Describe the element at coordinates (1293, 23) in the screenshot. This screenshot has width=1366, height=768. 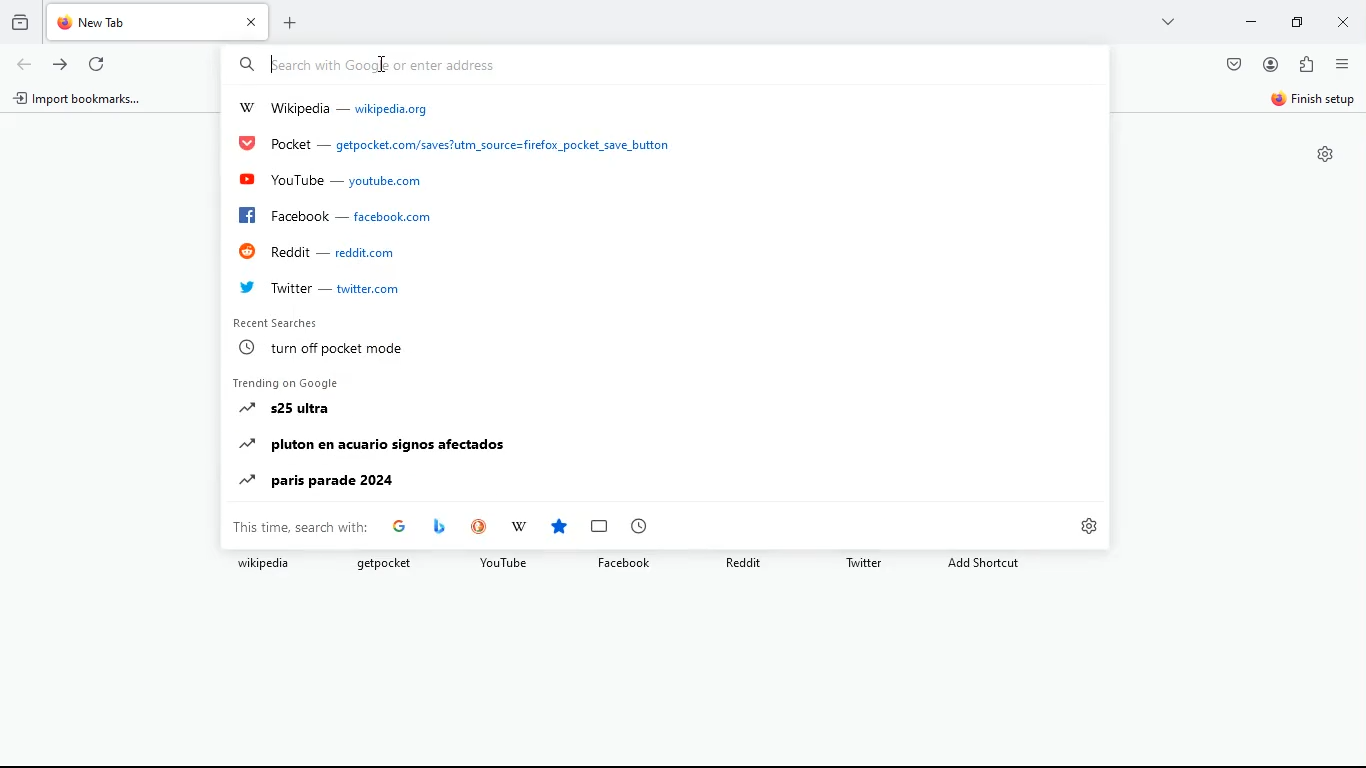
I see `maximize` at that location.